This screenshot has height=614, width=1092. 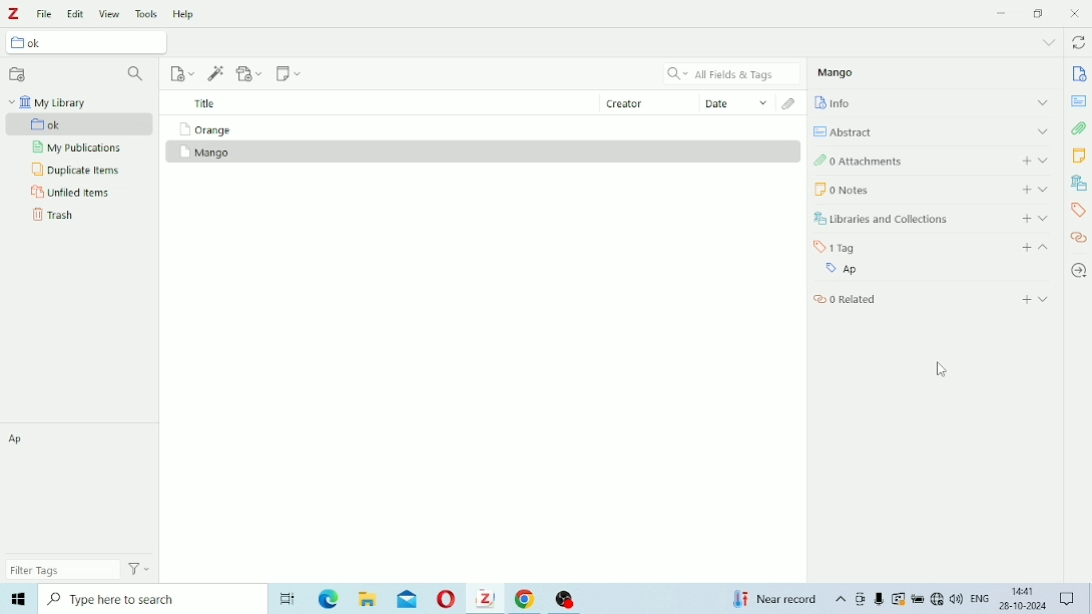 What do you see at coordinates (205, 153) in the screenshot?
I see `Mango` at bounding box center [205, 153].